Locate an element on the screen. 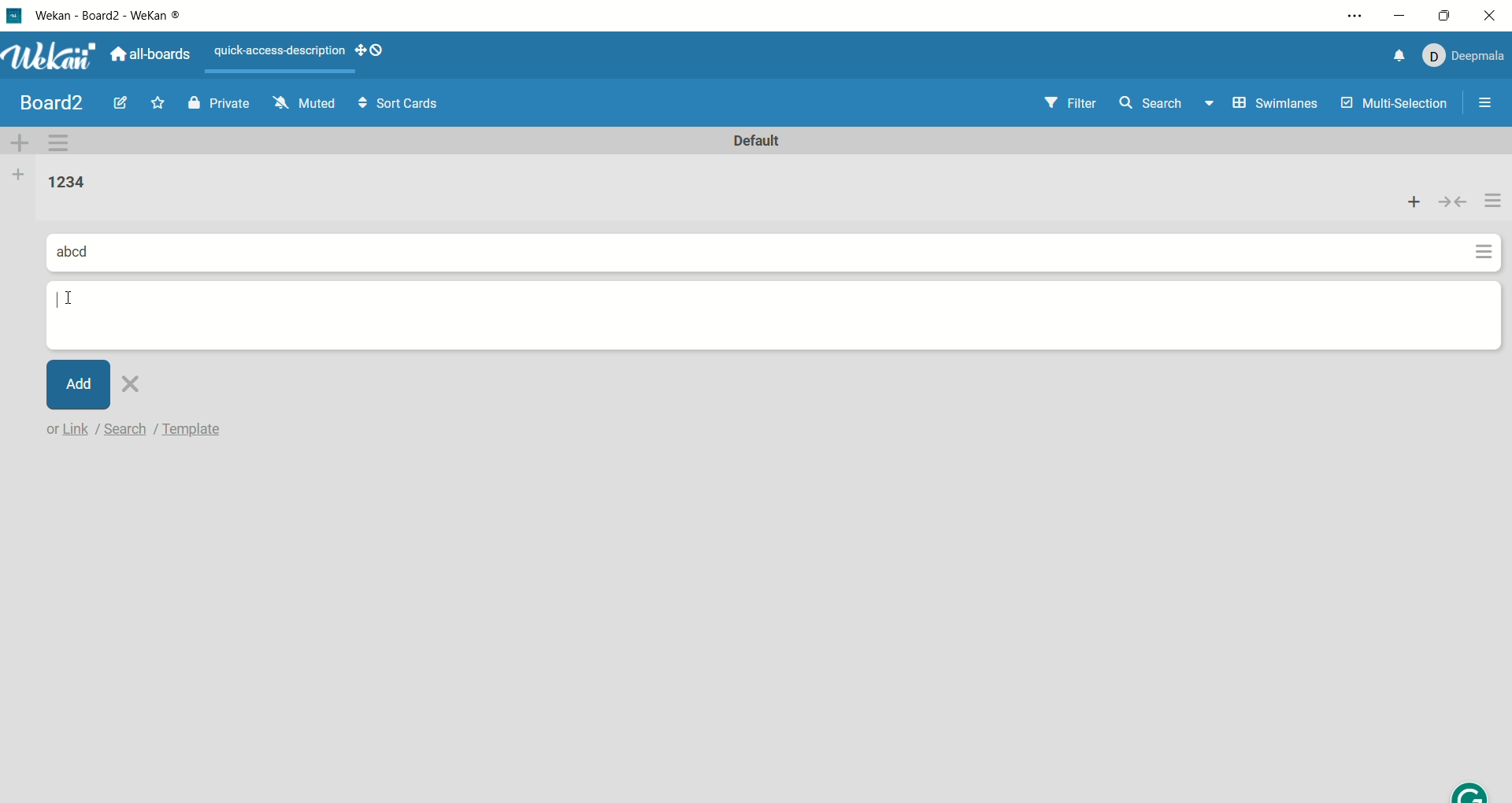  search is located at coordinates (1170, 101).